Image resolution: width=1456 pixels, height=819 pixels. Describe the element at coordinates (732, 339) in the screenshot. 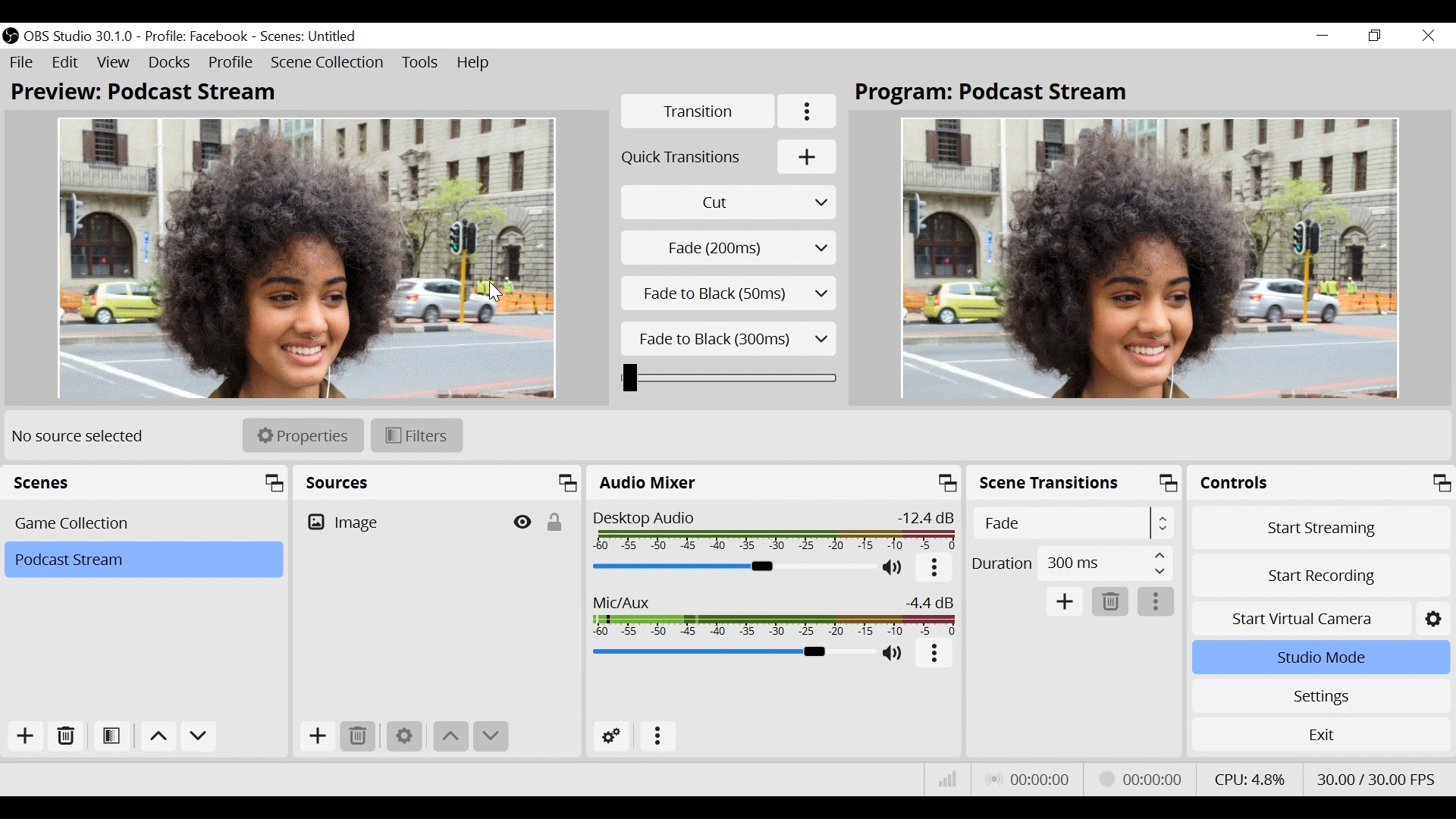

I see `Fade to Black` at that location.